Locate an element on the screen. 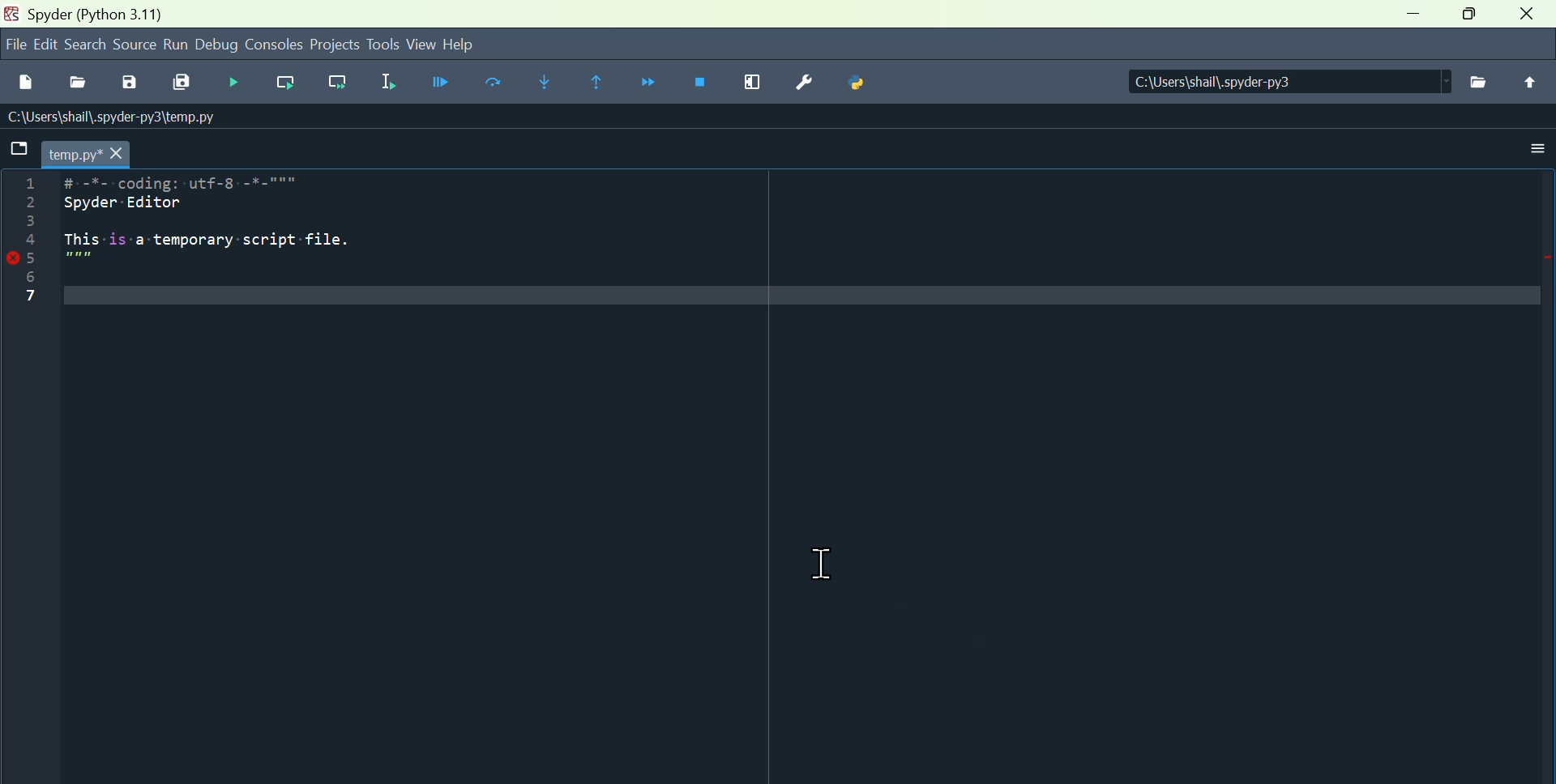 The image size is (1556, 784). open file is located at coordinates (77, 84).